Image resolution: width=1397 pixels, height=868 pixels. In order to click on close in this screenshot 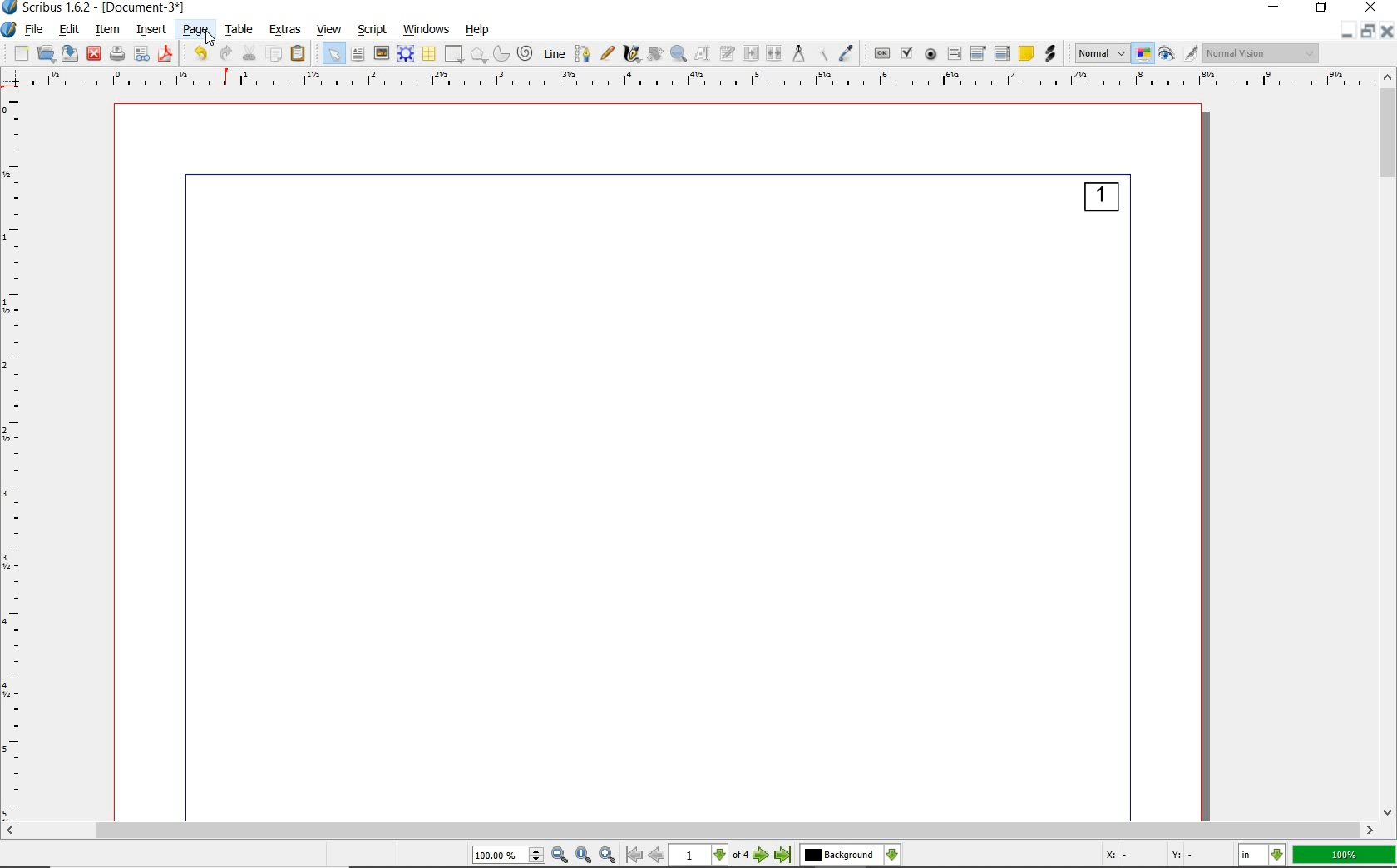, I will do `click(1389, 31)`.